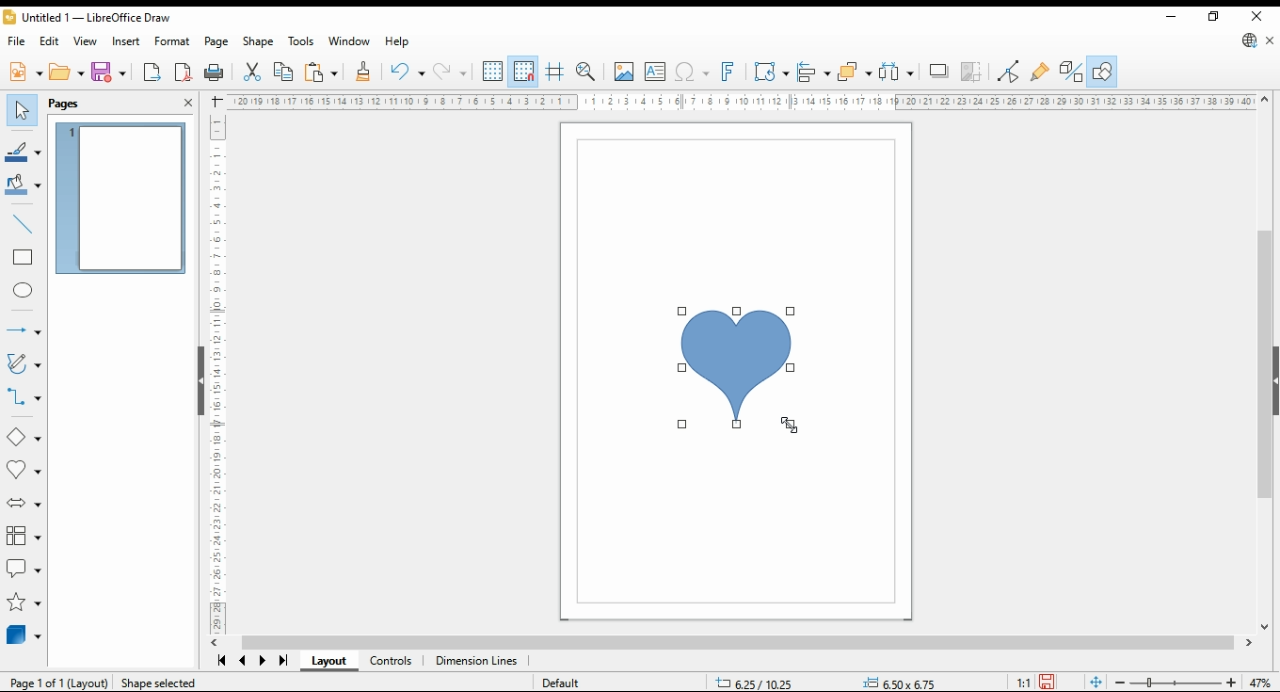 This screenshot has height=692, width=1280. Describe the element at coordinates (524, 70) in the screenshot. I see `snap to grid` at that location.